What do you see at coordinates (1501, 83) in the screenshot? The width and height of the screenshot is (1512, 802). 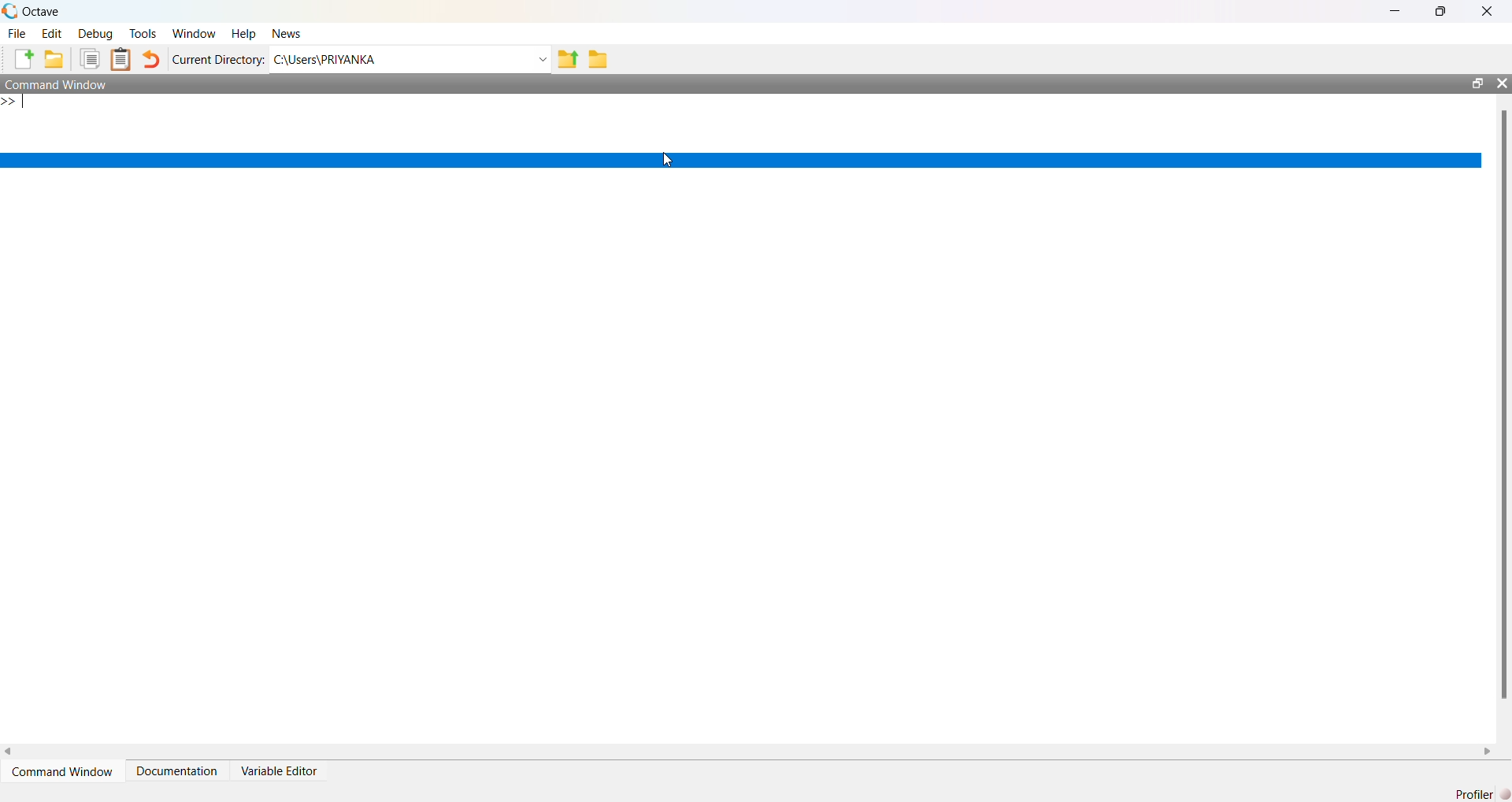 I see `close` at bounding box center [1501, 83].